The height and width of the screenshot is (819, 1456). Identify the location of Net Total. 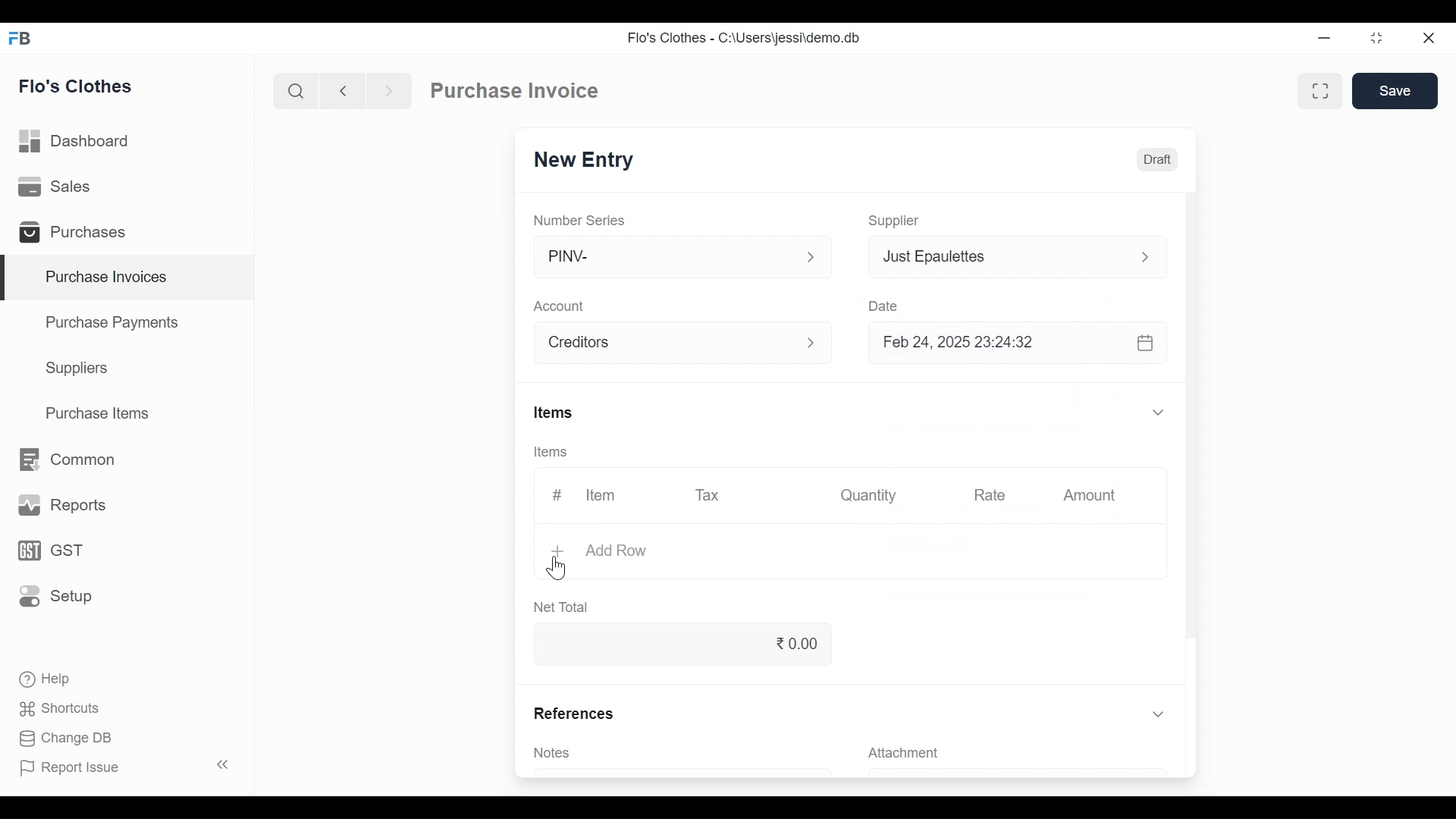
(565, 607).